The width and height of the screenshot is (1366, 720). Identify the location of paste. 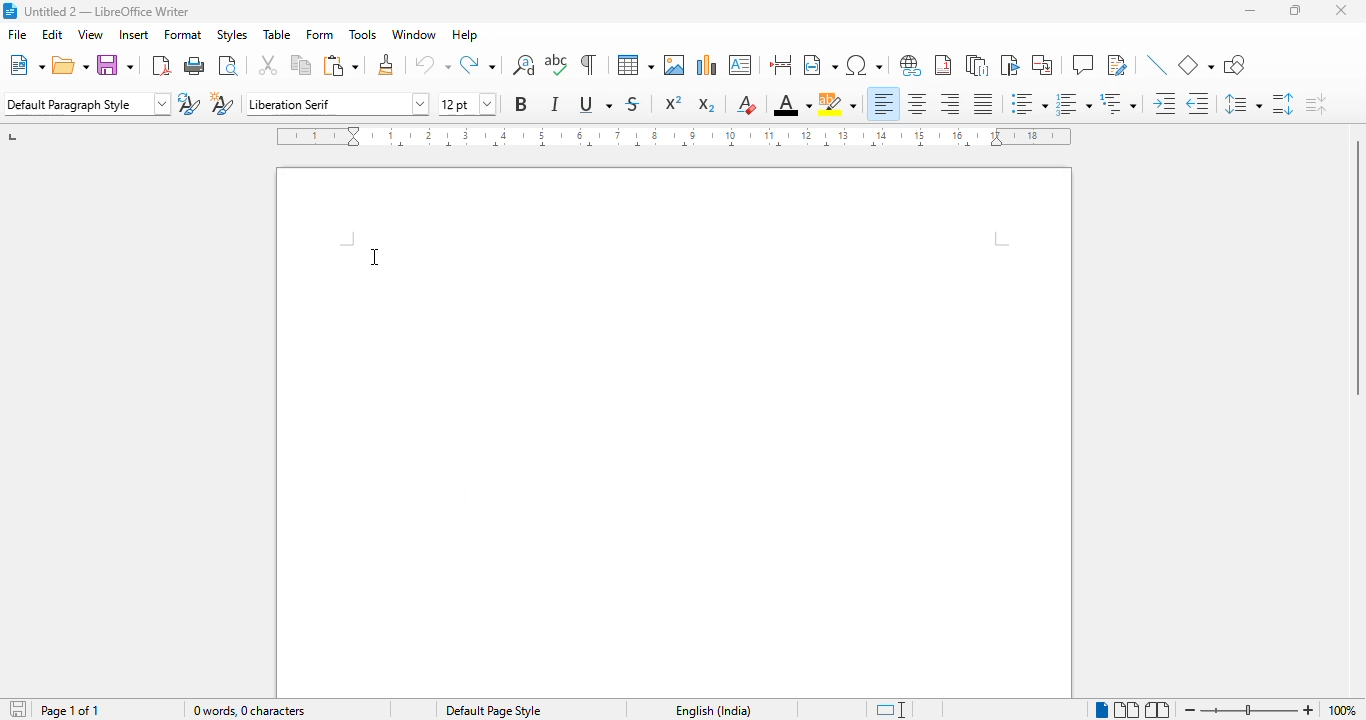
(339, 65).